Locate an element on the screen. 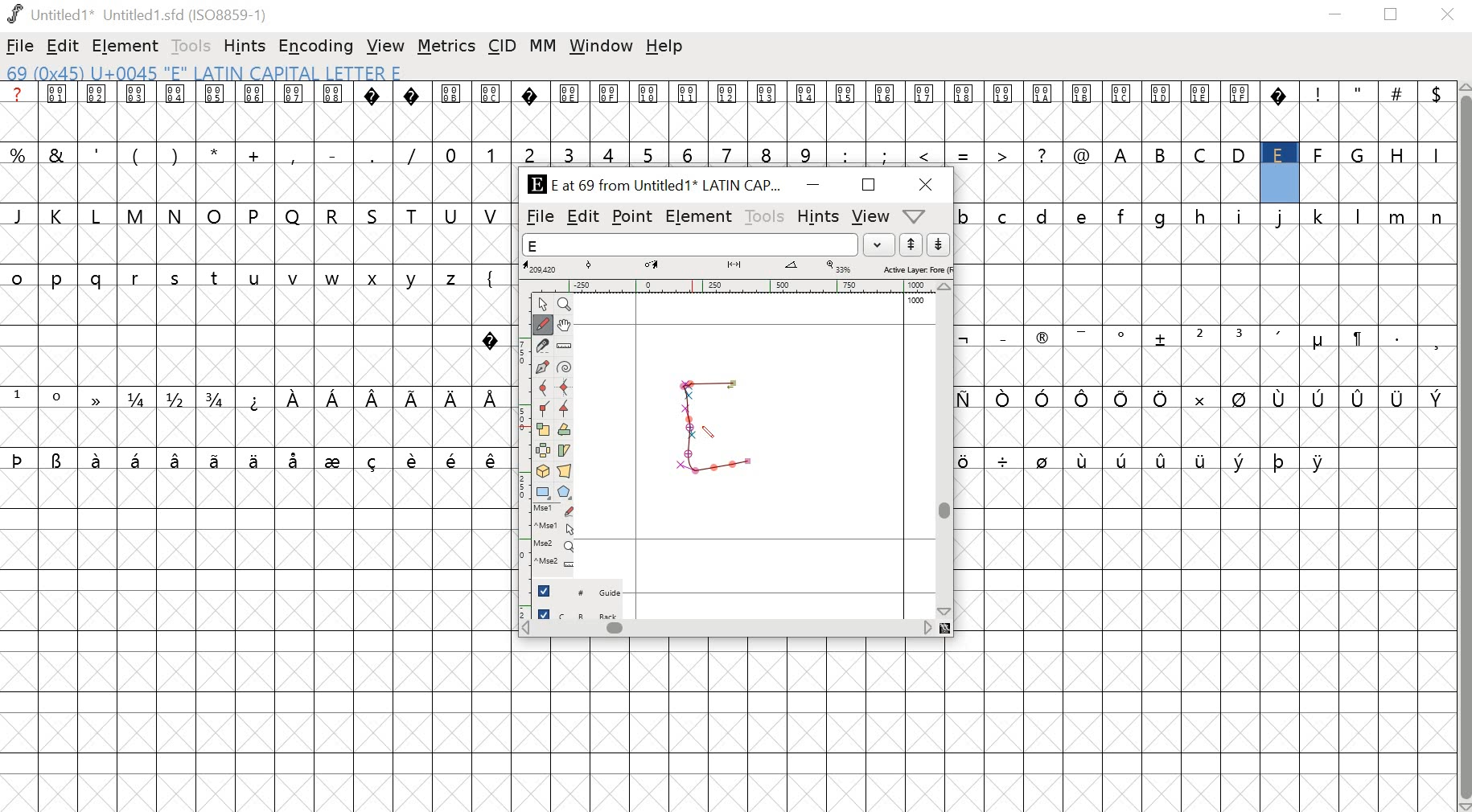 The height and width of the screenshot is (812, 1472). element is located at coordinates (698, 216).